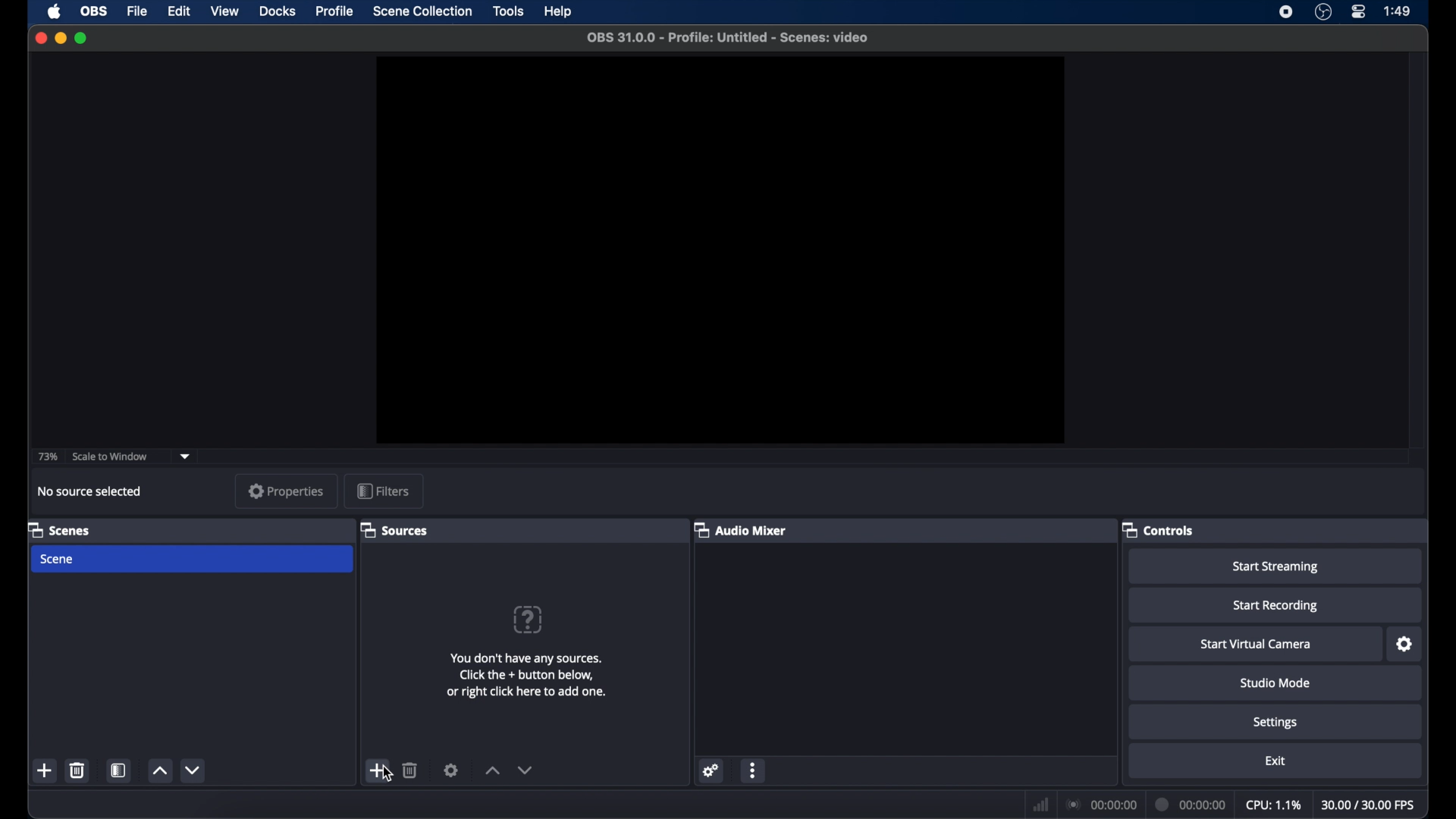 The width and height of the screenshot is (1456, 819). I want to click on properties, so click(287, 491).